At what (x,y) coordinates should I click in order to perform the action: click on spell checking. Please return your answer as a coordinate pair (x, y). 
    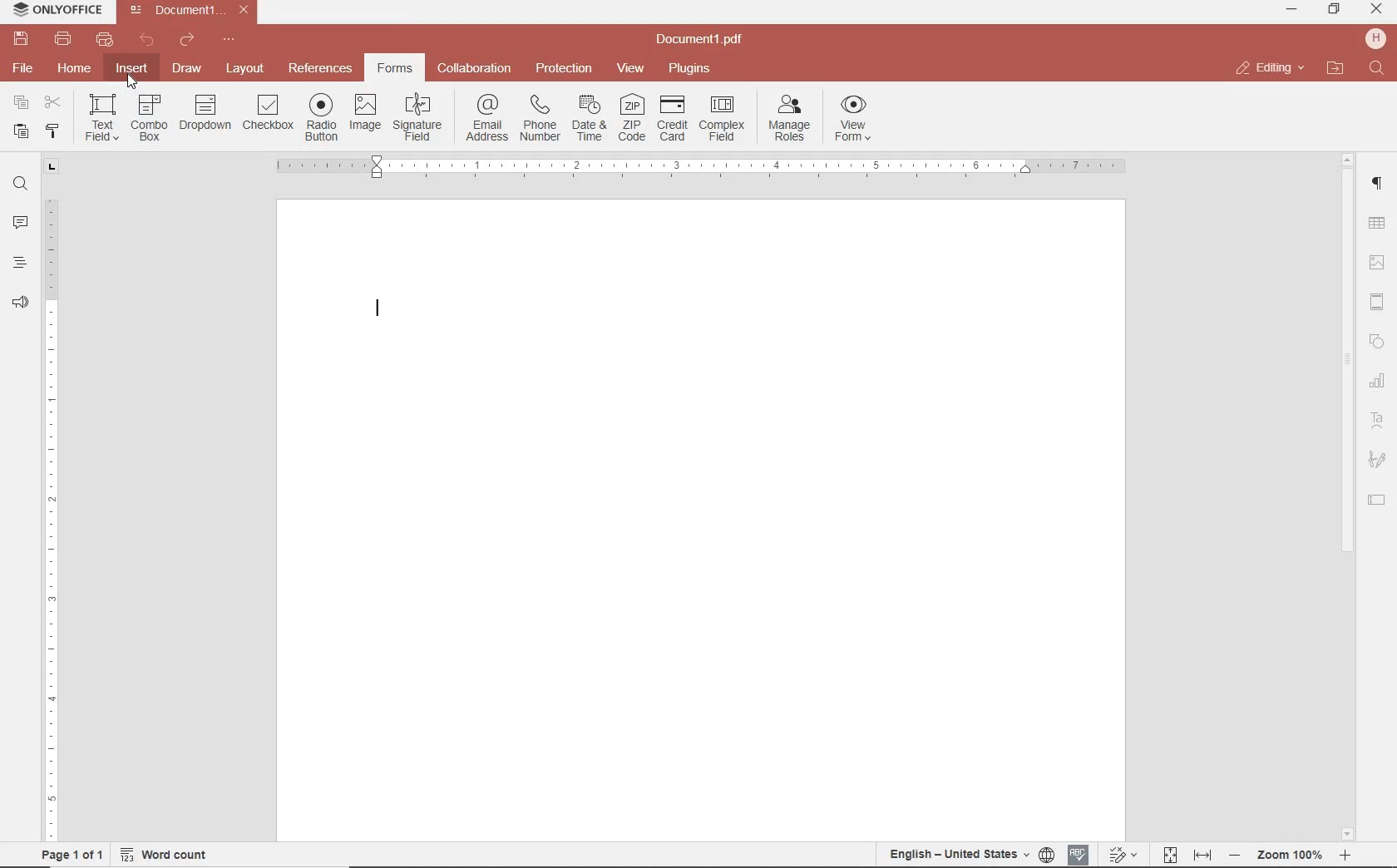
    Looking at the image, I should click on (1079, 855).